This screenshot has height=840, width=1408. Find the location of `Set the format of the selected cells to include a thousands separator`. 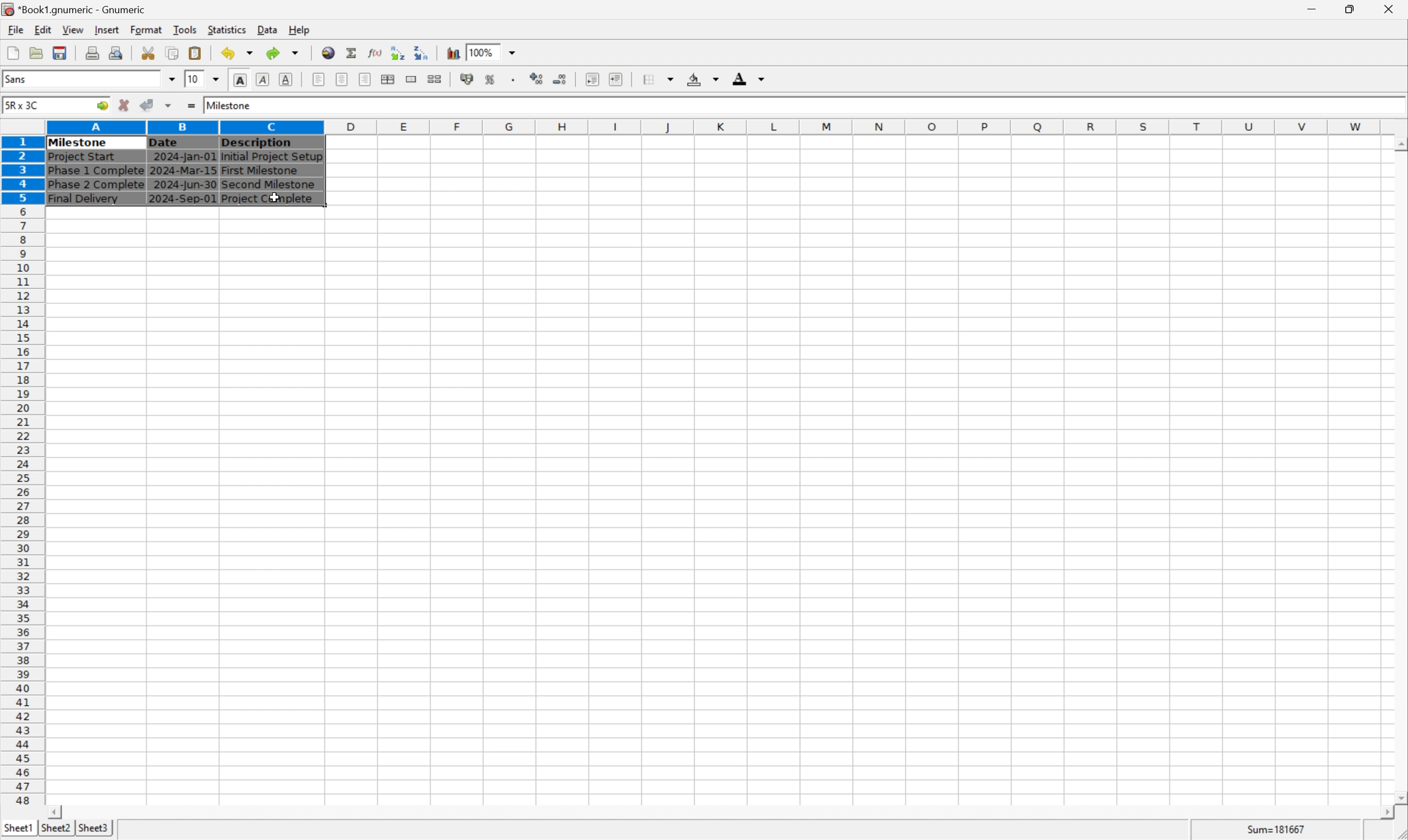

Set the format of the selected cells to include a thousands separator is located at coordinates (516, 79).